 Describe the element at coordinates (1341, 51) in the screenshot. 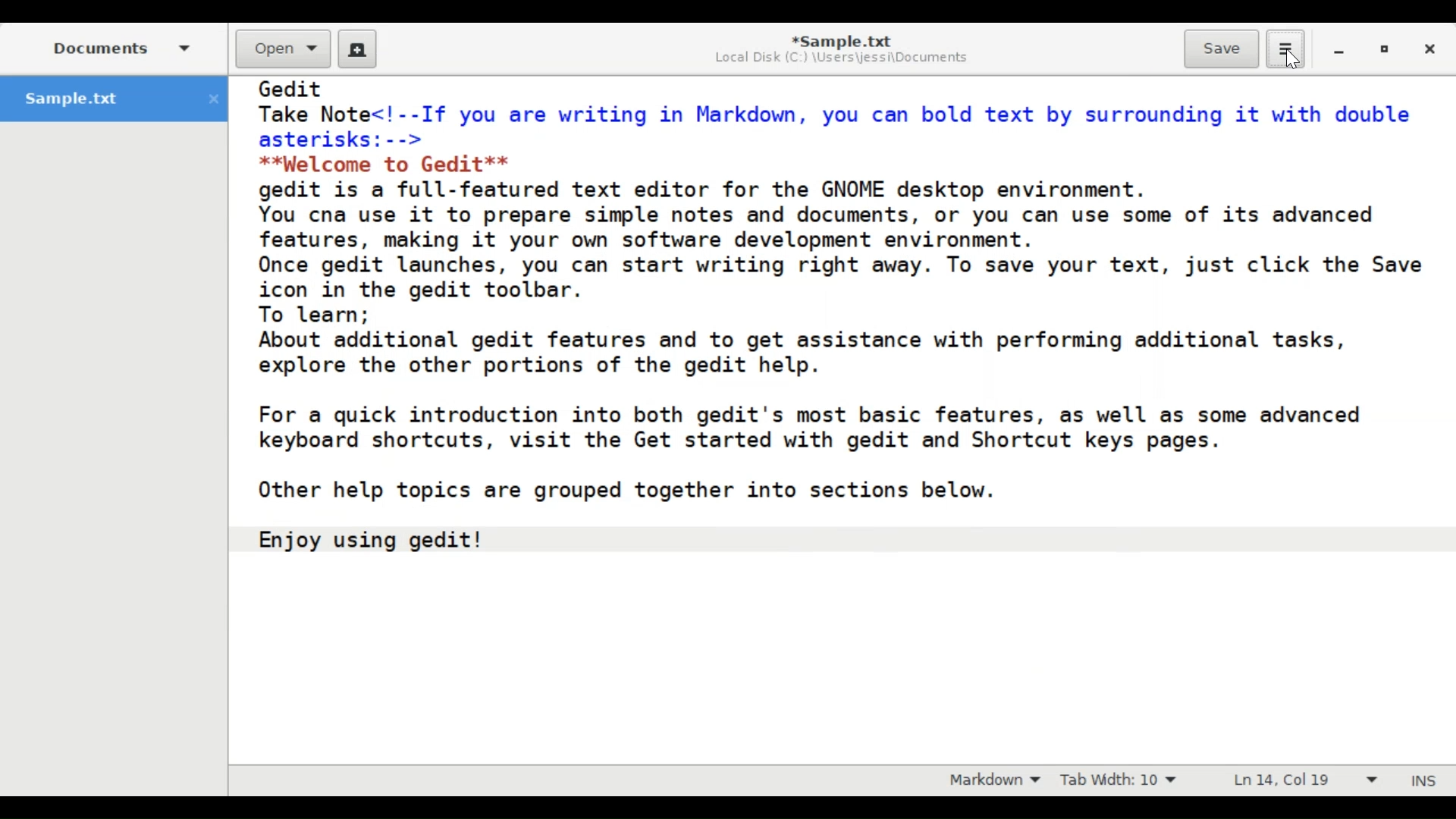

I see `minimize` at that location.